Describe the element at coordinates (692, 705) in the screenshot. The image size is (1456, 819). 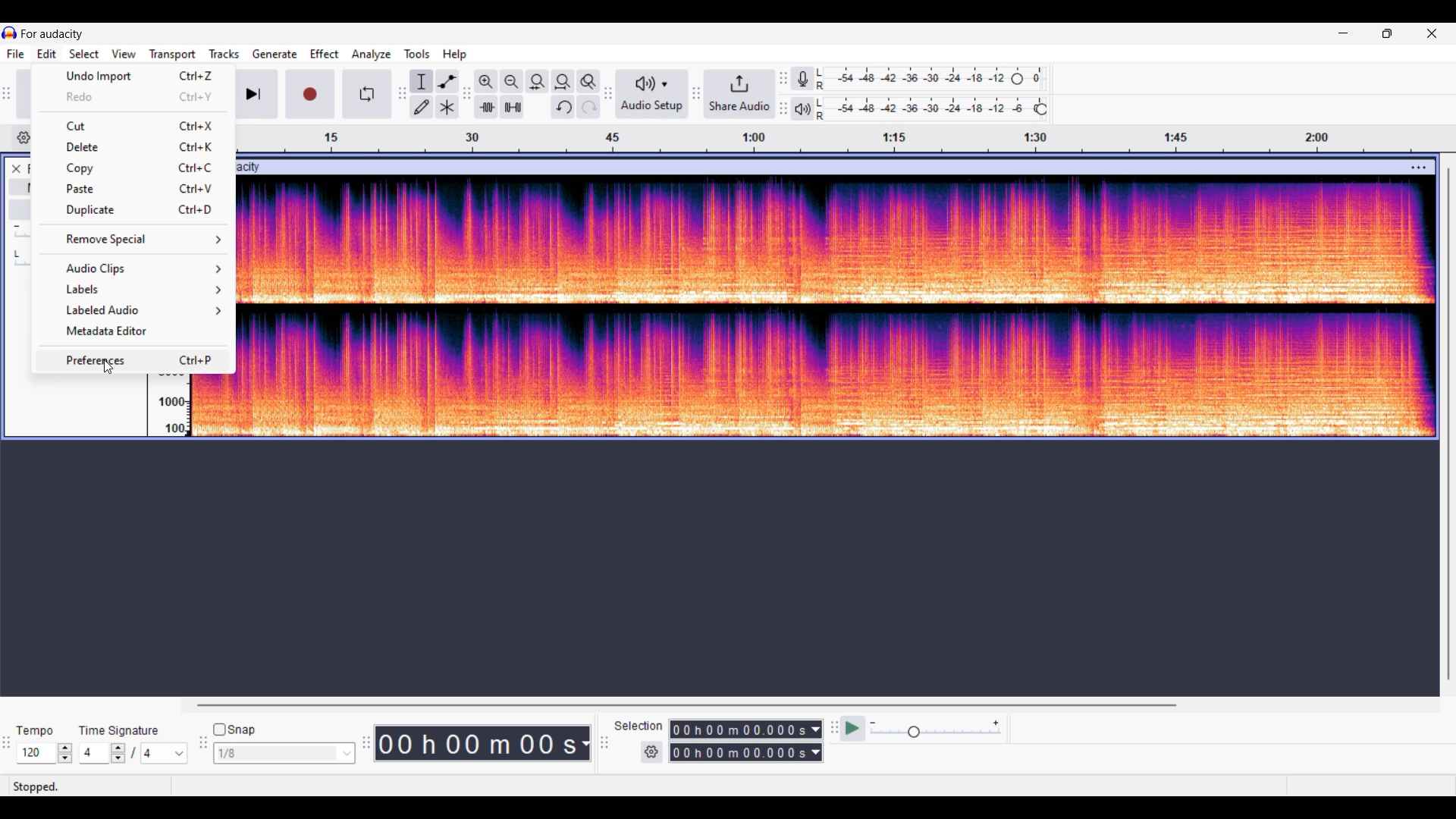
I see `Horizontal slide bar` at that location.